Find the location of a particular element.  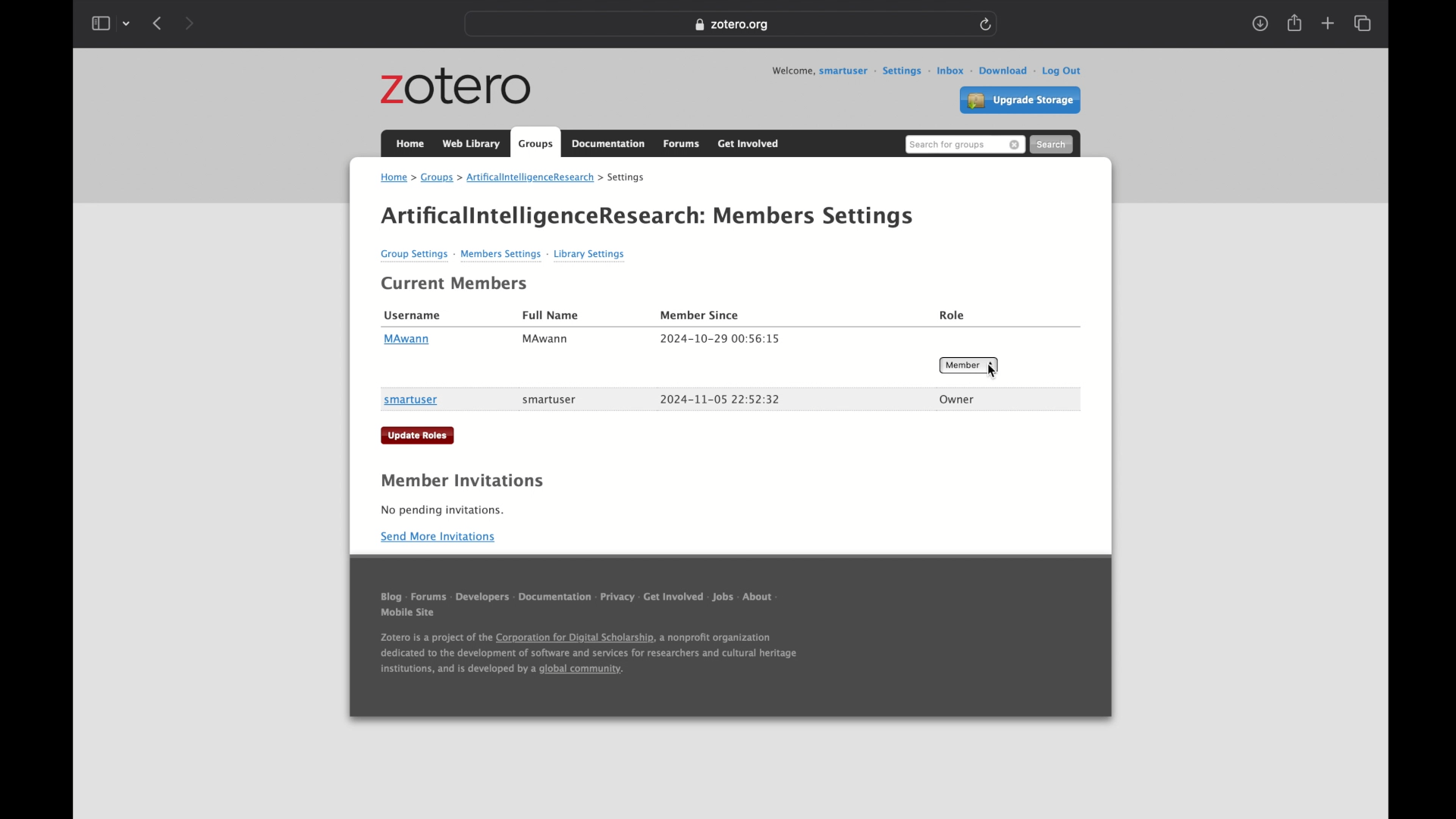

downloads is located at coordinates (1261, 24).